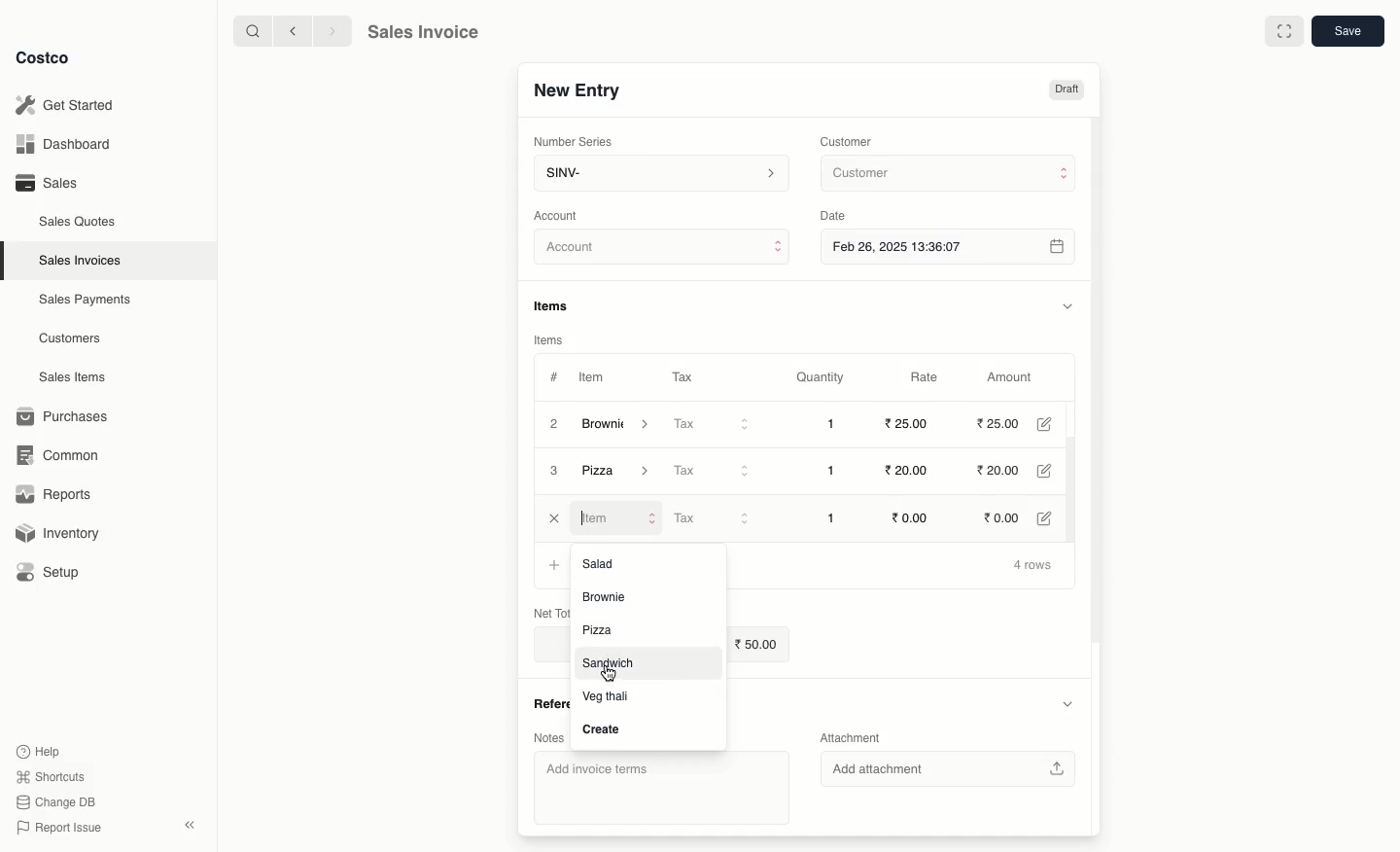  I want to click on Amount, so click(1015, 377).